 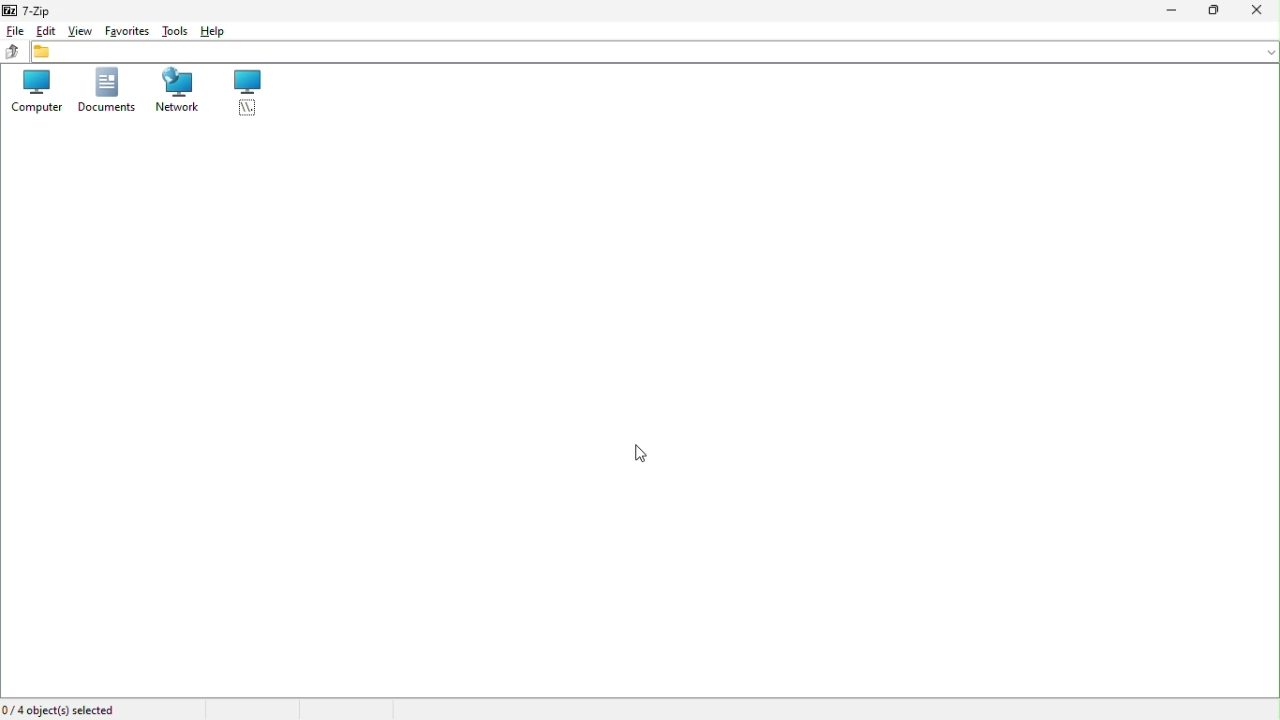 What do you see at coordinates (30, 10) in the screenshot?
I see `7-zip` at bounding box center [30, 10].